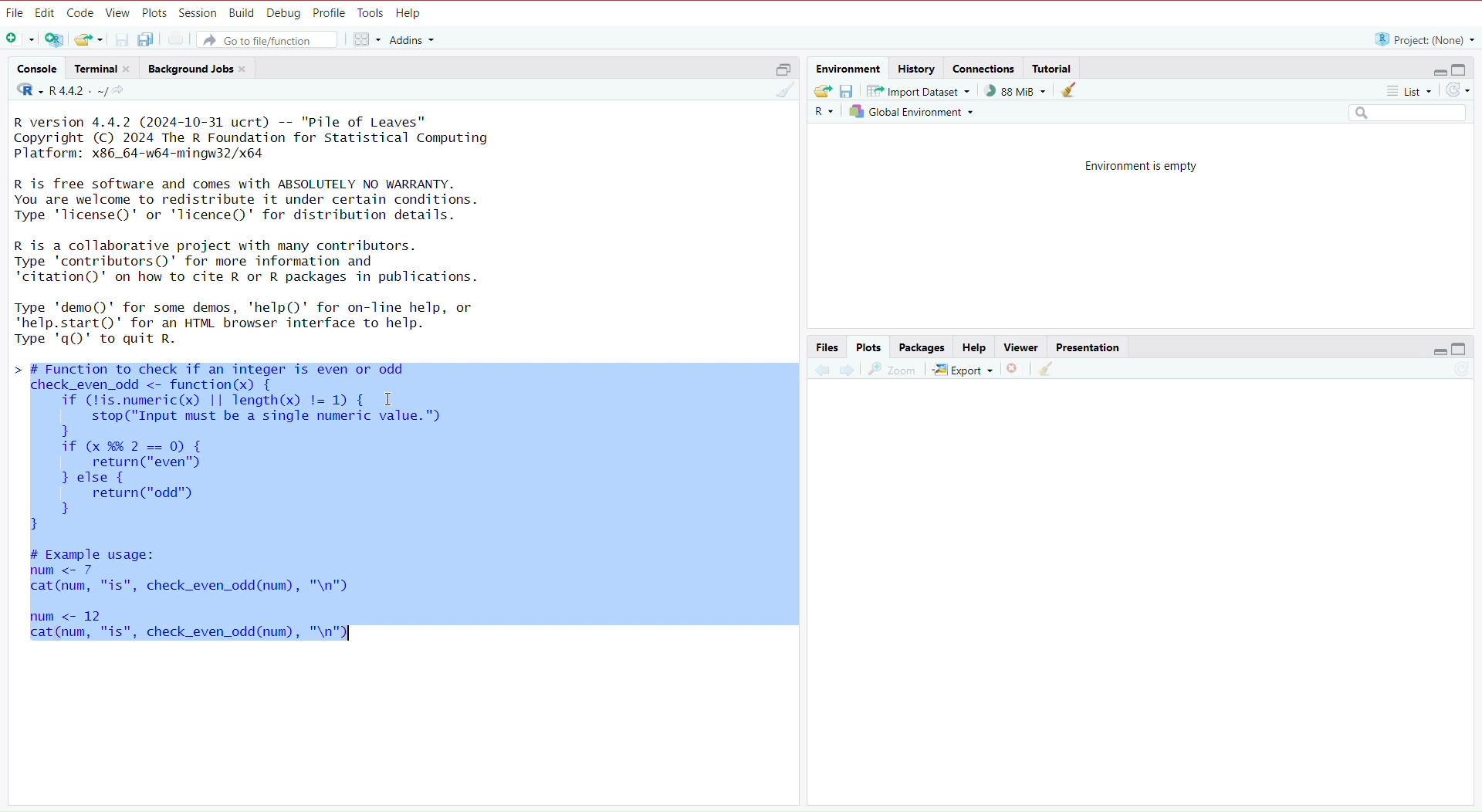 This screenshot has width=1482, height=812. What do you see at coordinates (178, 39) in the screenshot?
I see `print current file` at bounding box center [178, 39].